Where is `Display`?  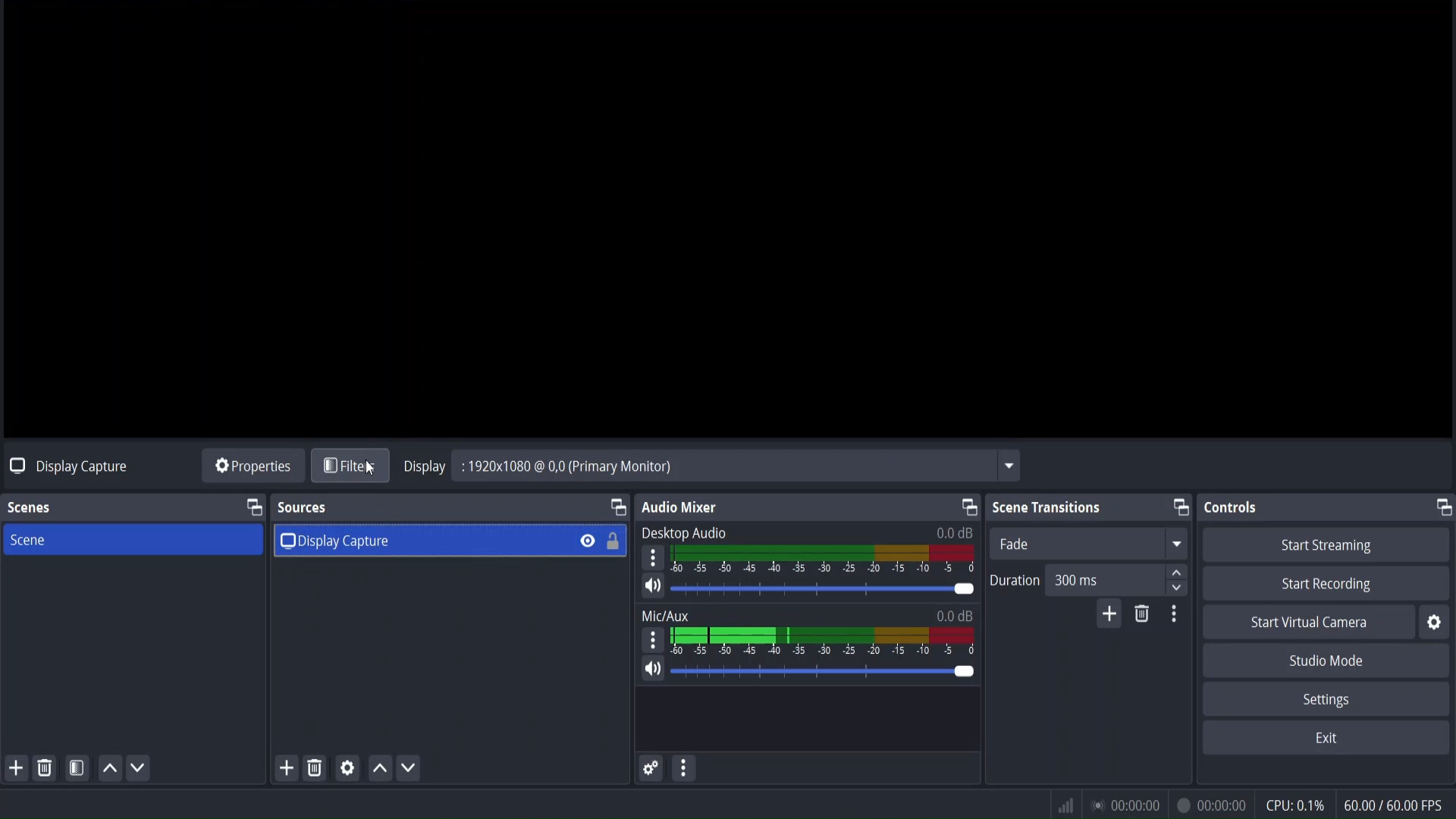 Display is located at coordinates (721, 467).